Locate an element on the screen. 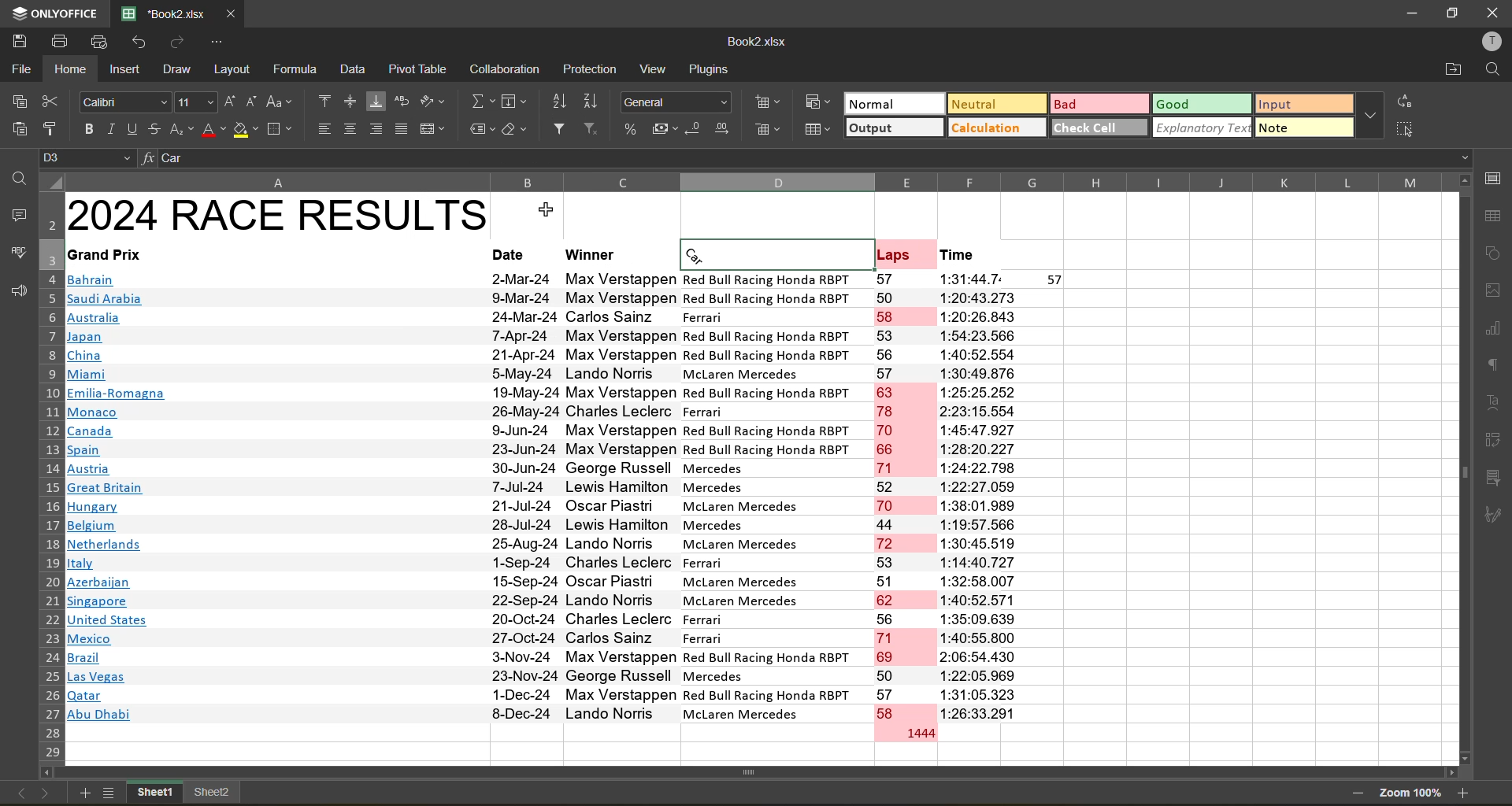 The image size is (1512, 806). good is located at coordinates (1201, 104).